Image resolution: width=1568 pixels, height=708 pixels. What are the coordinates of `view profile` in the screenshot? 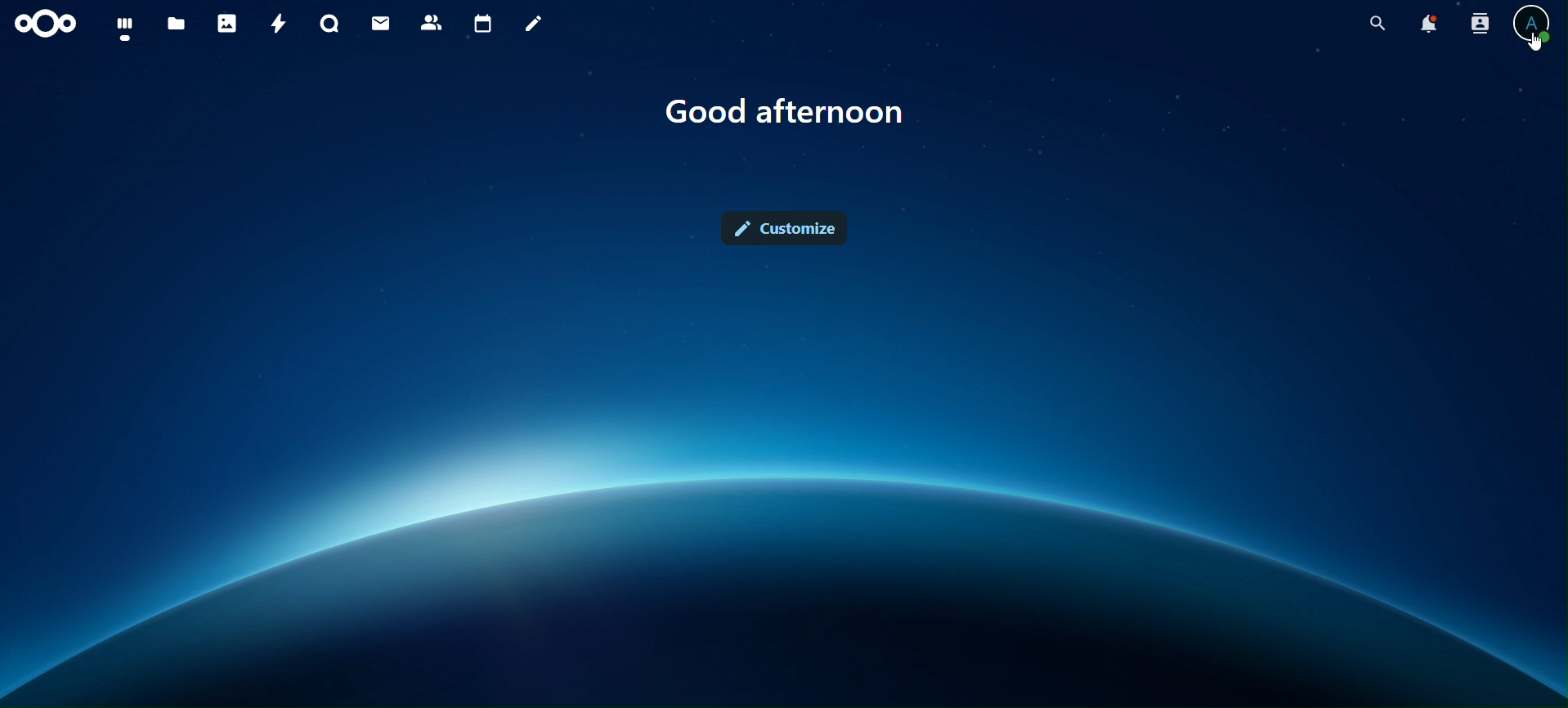 It's located at (1534, 21).